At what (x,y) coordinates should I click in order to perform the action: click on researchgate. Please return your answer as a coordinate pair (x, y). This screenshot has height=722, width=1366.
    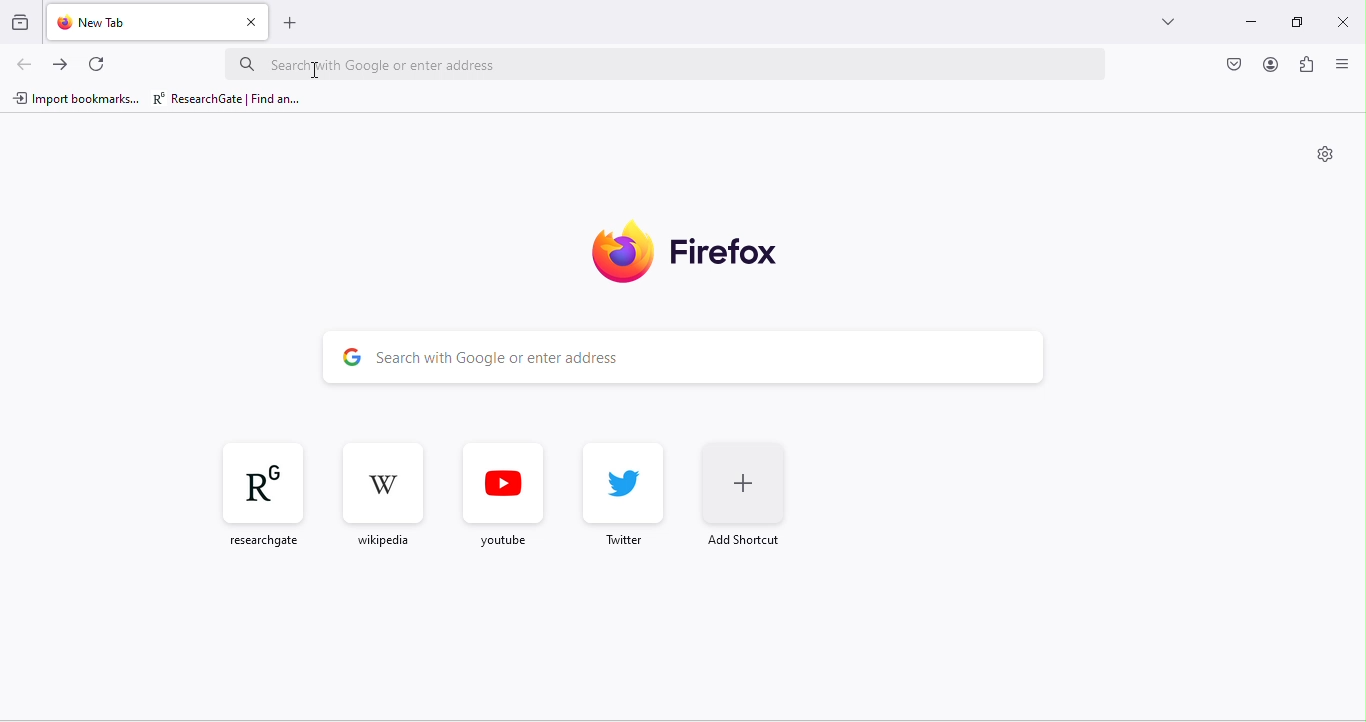
    Looking at the image, I should click on (254, 491).